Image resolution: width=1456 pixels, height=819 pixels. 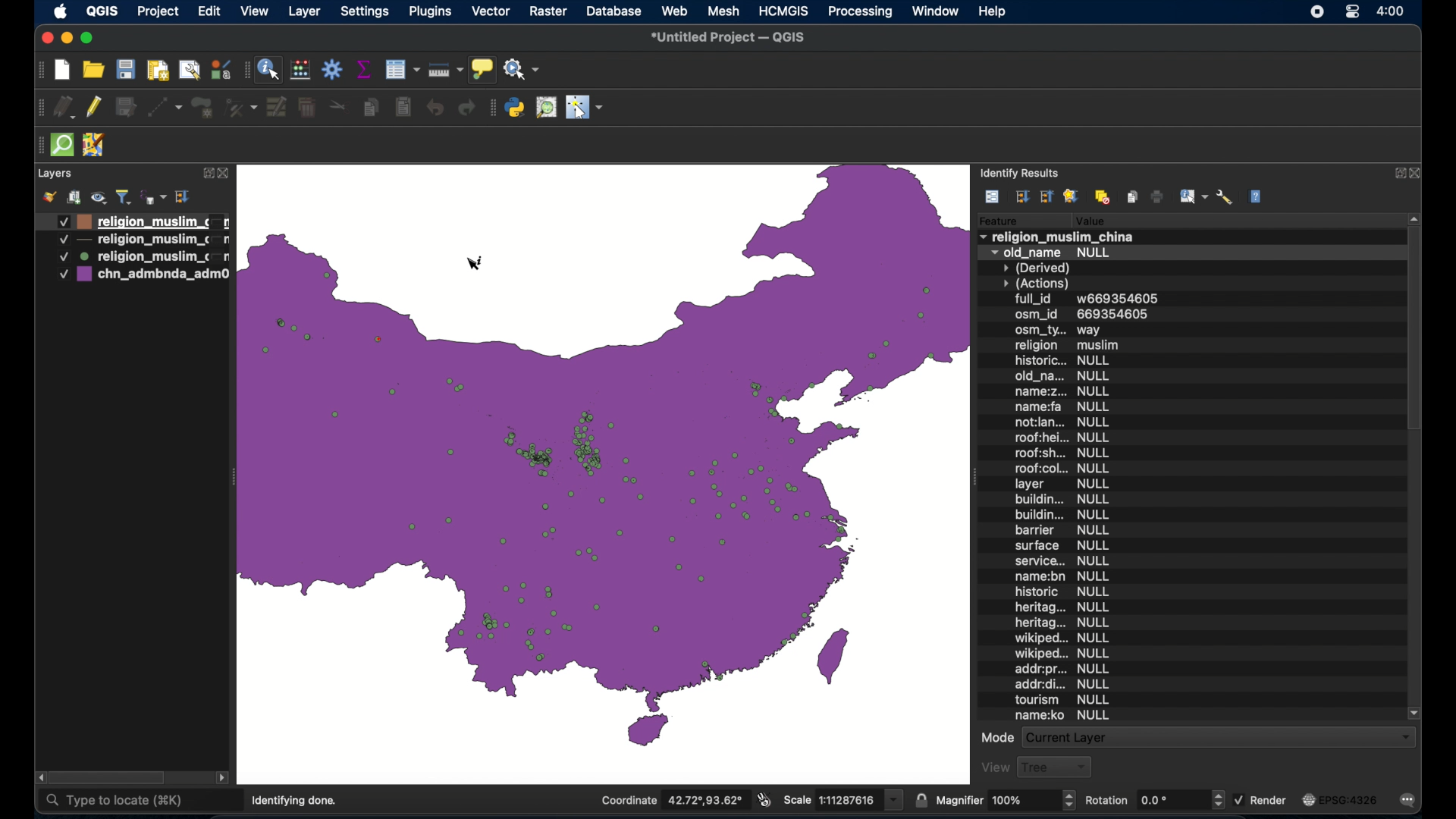 What do you see at coordinates (1003, 220) in the screenshot?
I see `feature` at bounding box center [1003, 220].